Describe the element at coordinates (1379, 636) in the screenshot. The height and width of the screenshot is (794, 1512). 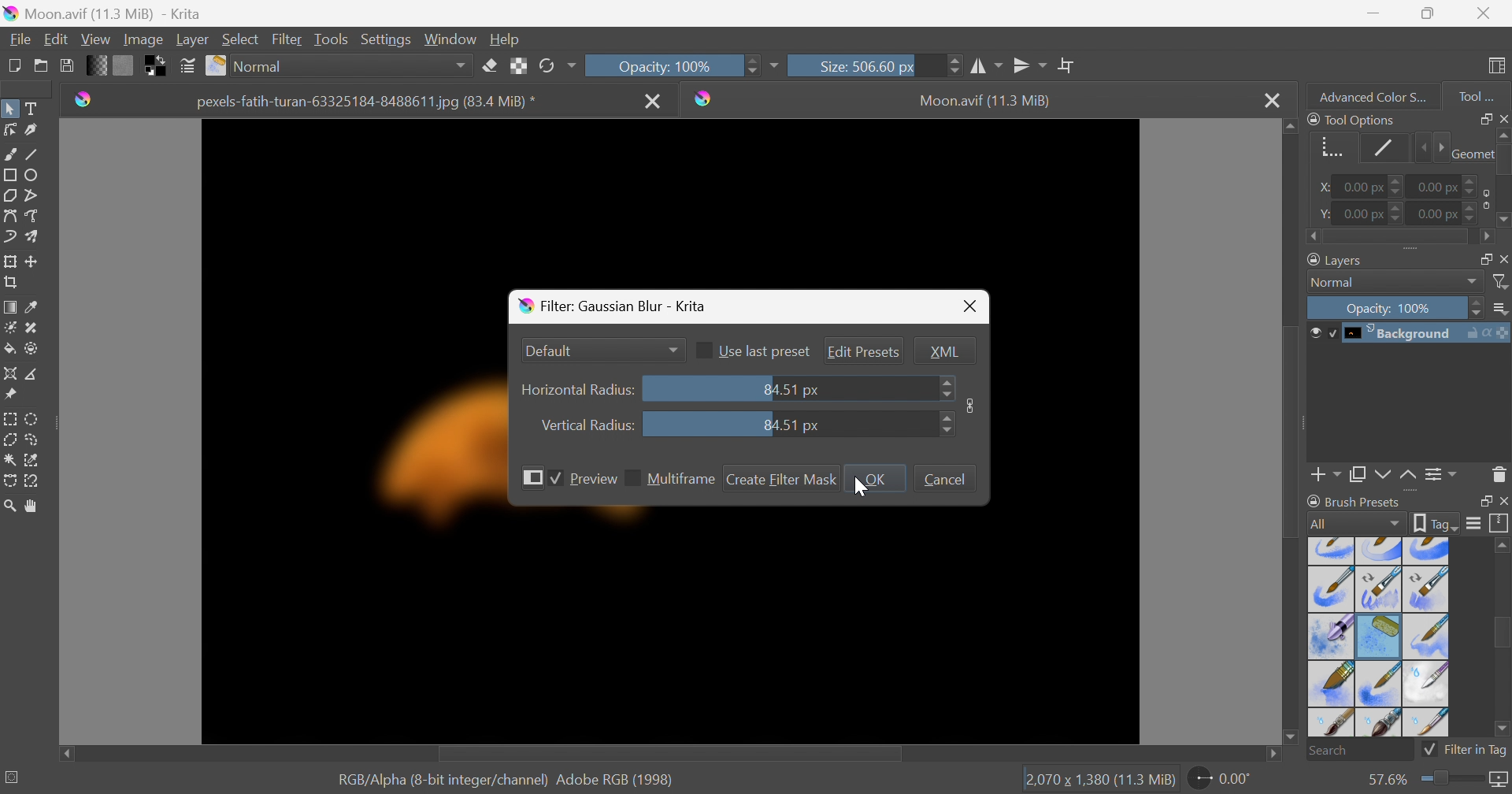
I see `Types of brush` at that location.